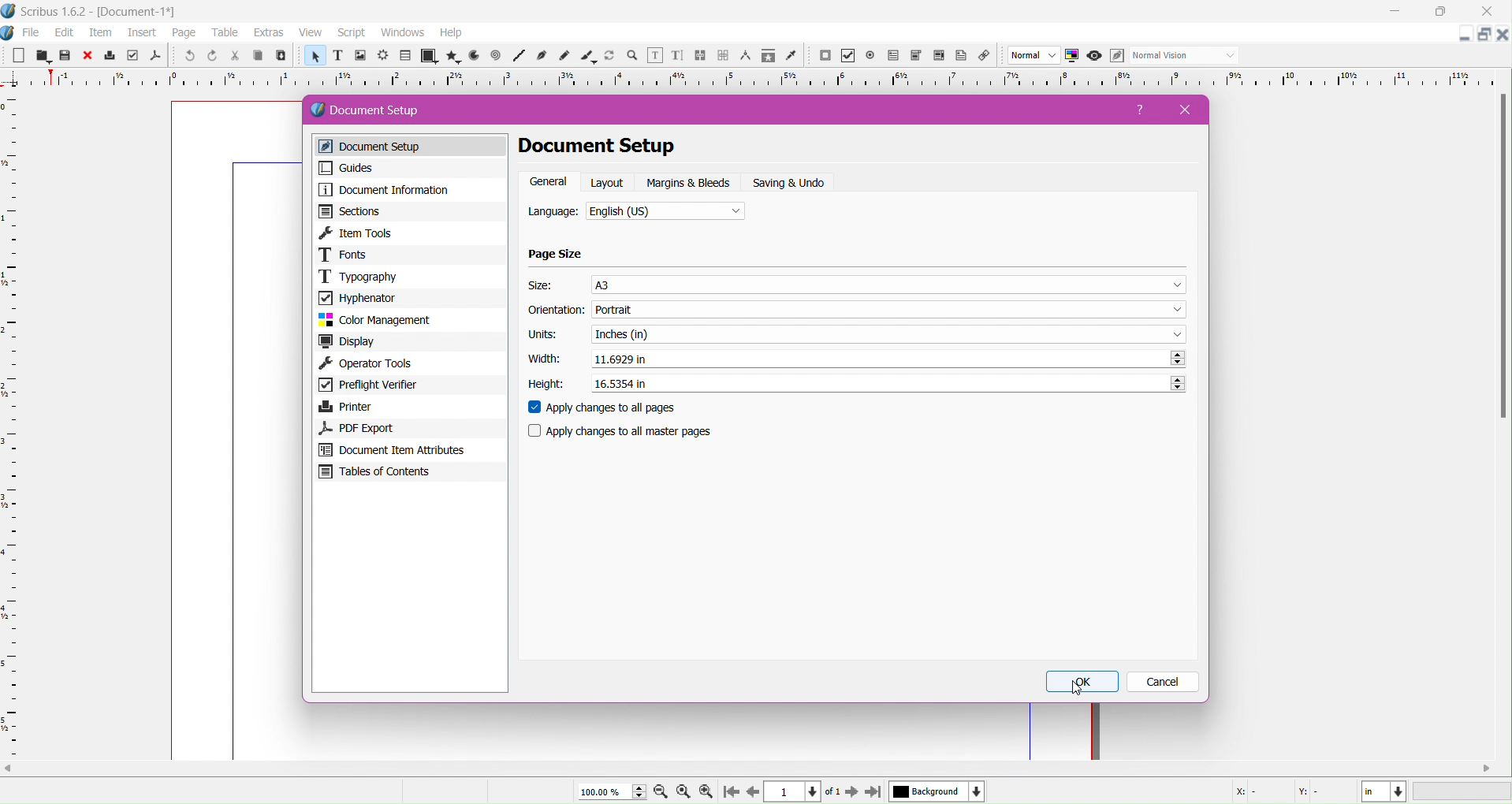 The height and width of the screenshot is (804, 1512). I want to click on item menu, so click(102, 34).